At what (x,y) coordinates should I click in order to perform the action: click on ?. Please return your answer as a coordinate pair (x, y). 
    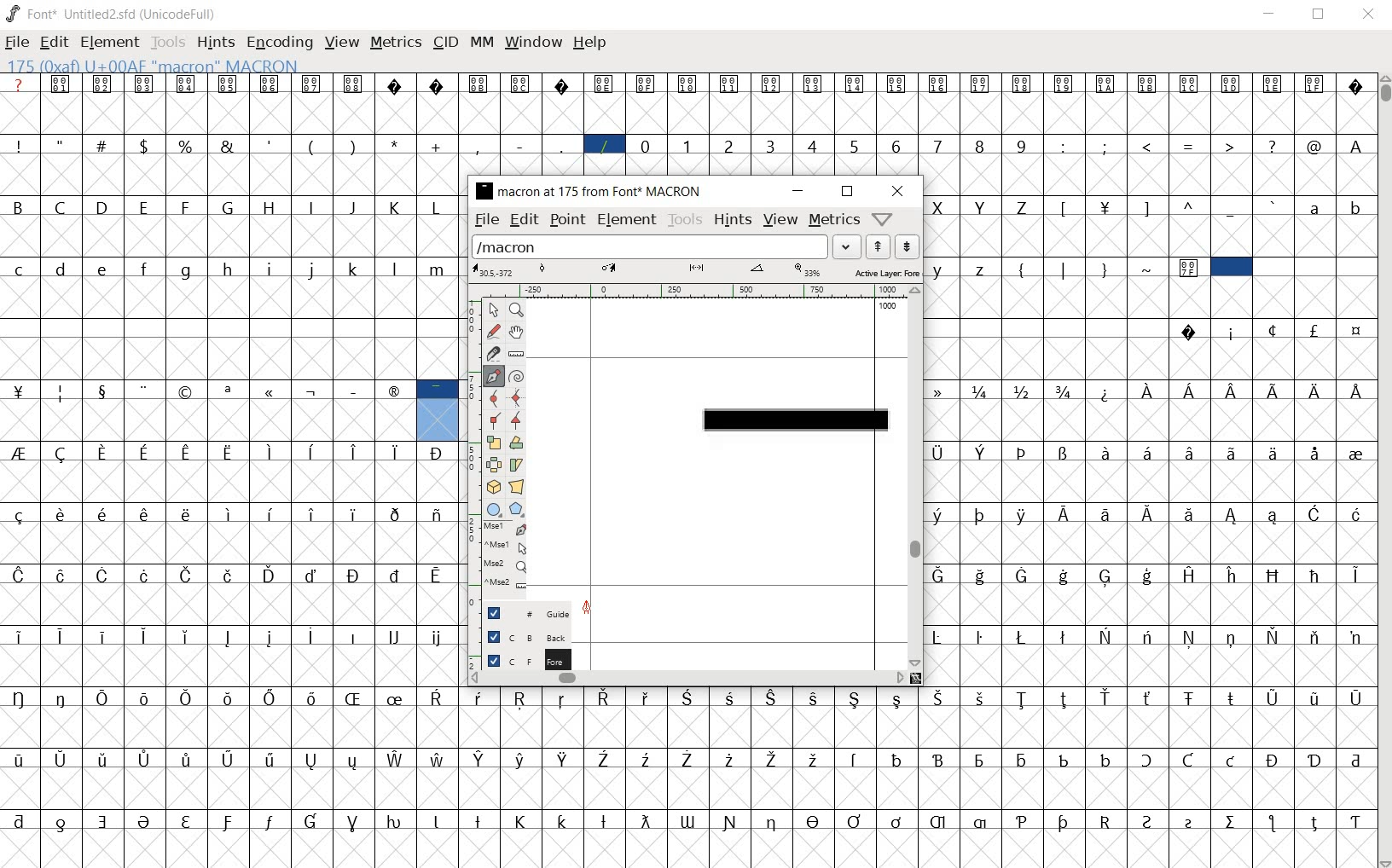
    Looking at the image, I should click on (1271, 144).